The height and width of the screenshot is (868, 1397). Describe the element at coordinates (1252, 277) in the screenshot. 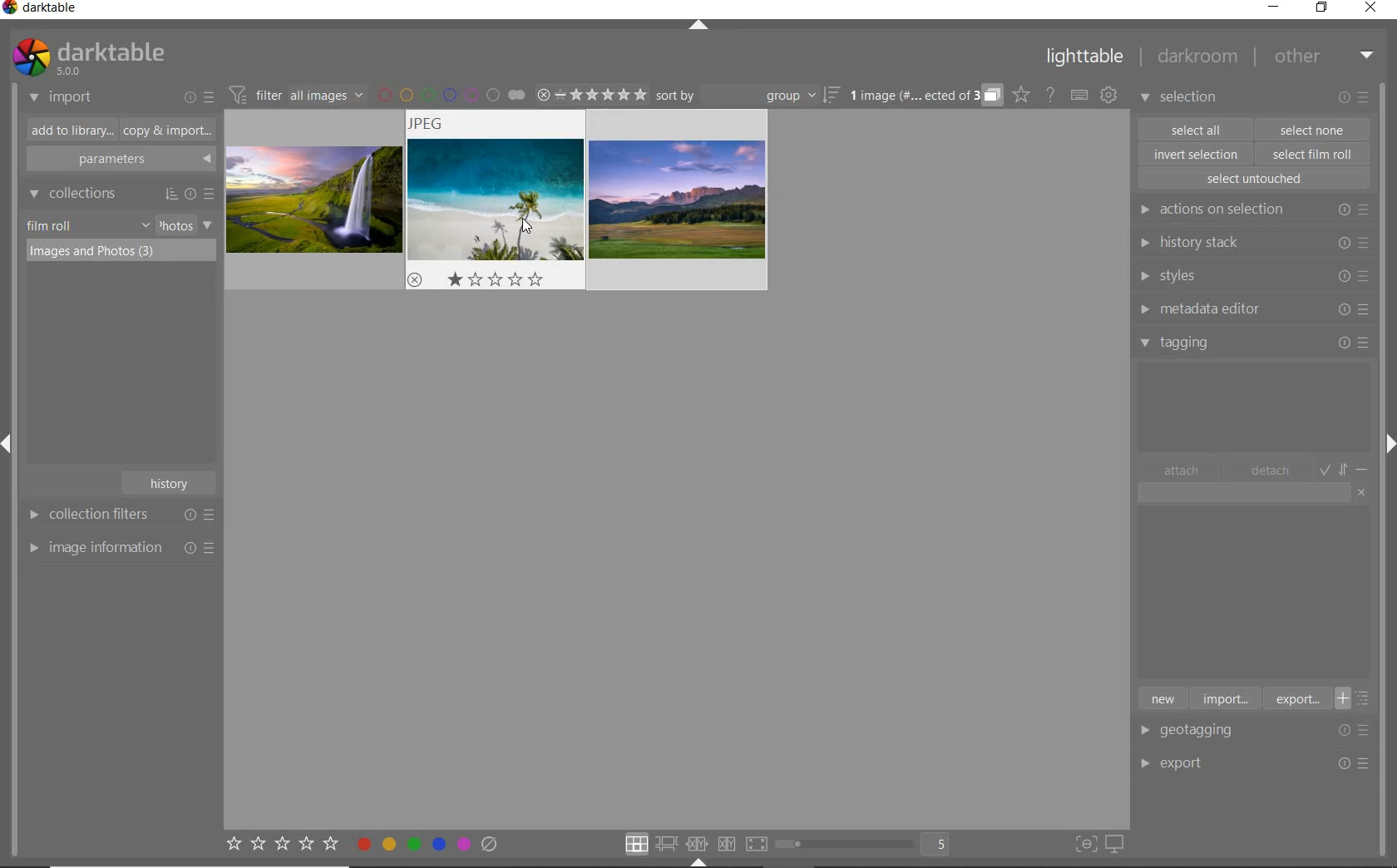

I see `styles` at that location.